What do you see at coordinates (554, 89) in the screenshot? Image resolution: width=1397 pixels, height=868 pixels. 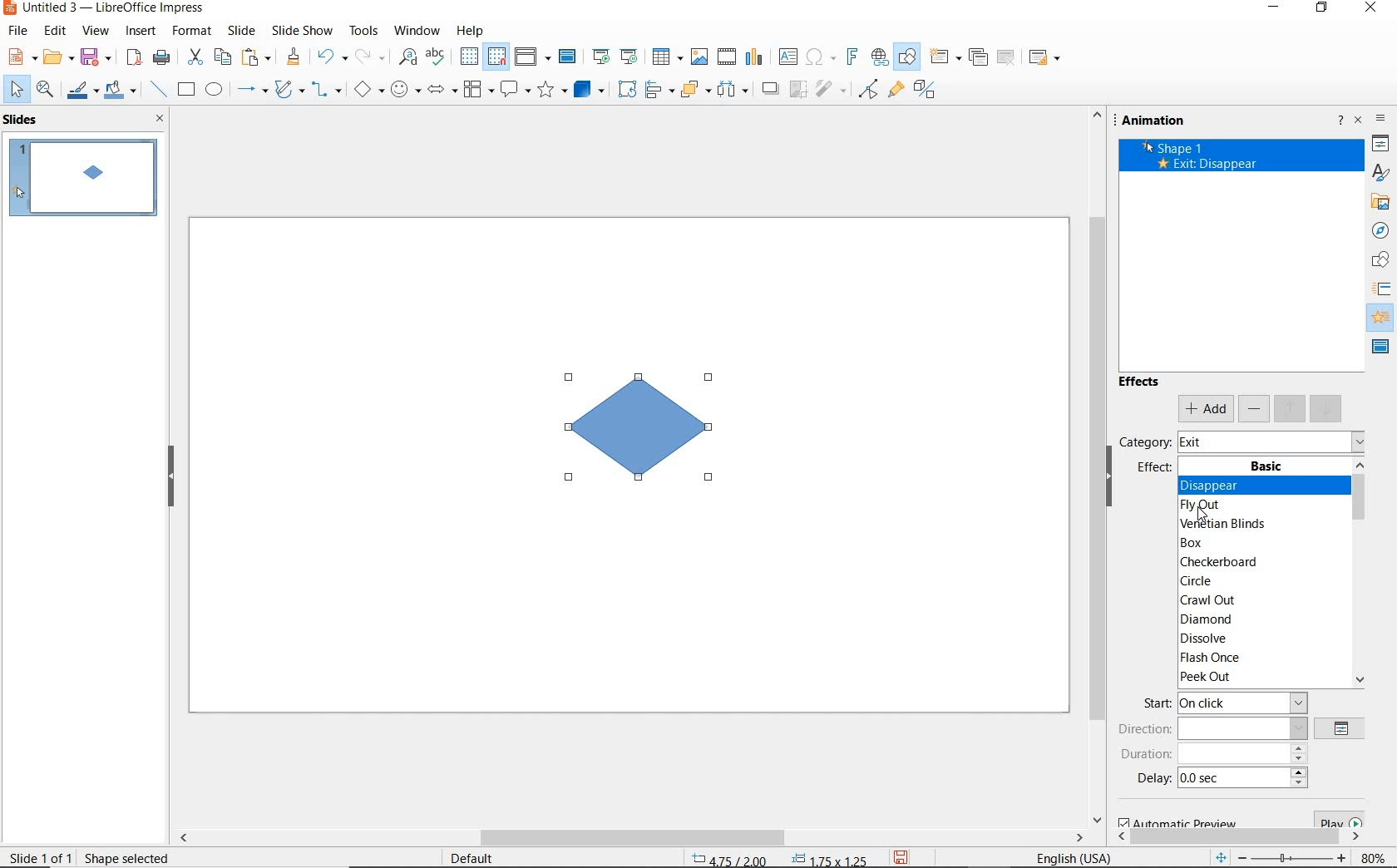 I see `stars and banners` at bounding box center [554, 89].